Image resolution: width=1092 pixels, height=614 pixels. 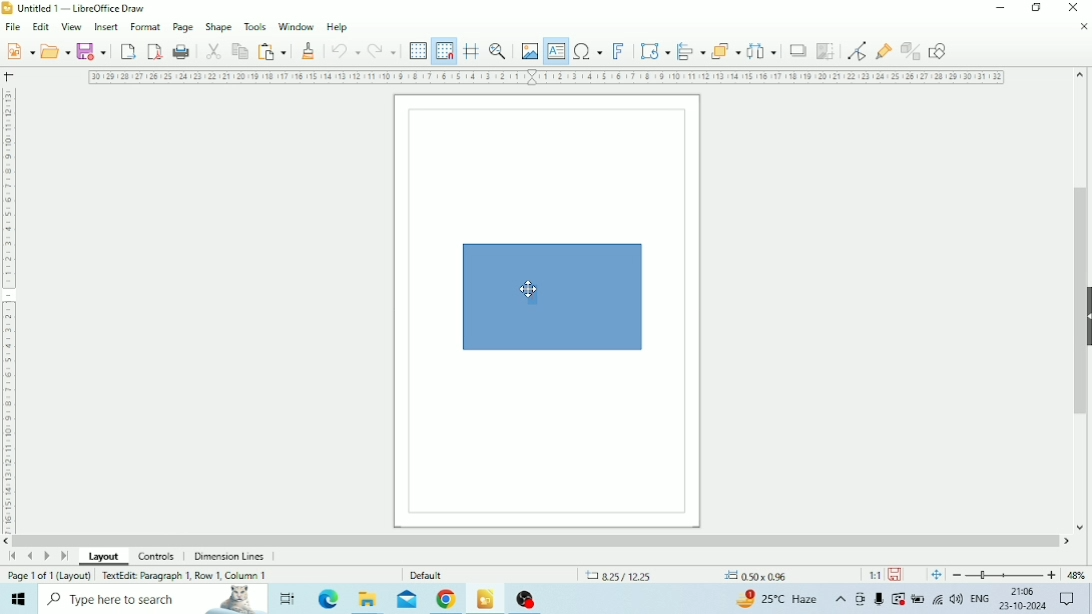 I want to click on Crop Image, so click(x=826, y=51).